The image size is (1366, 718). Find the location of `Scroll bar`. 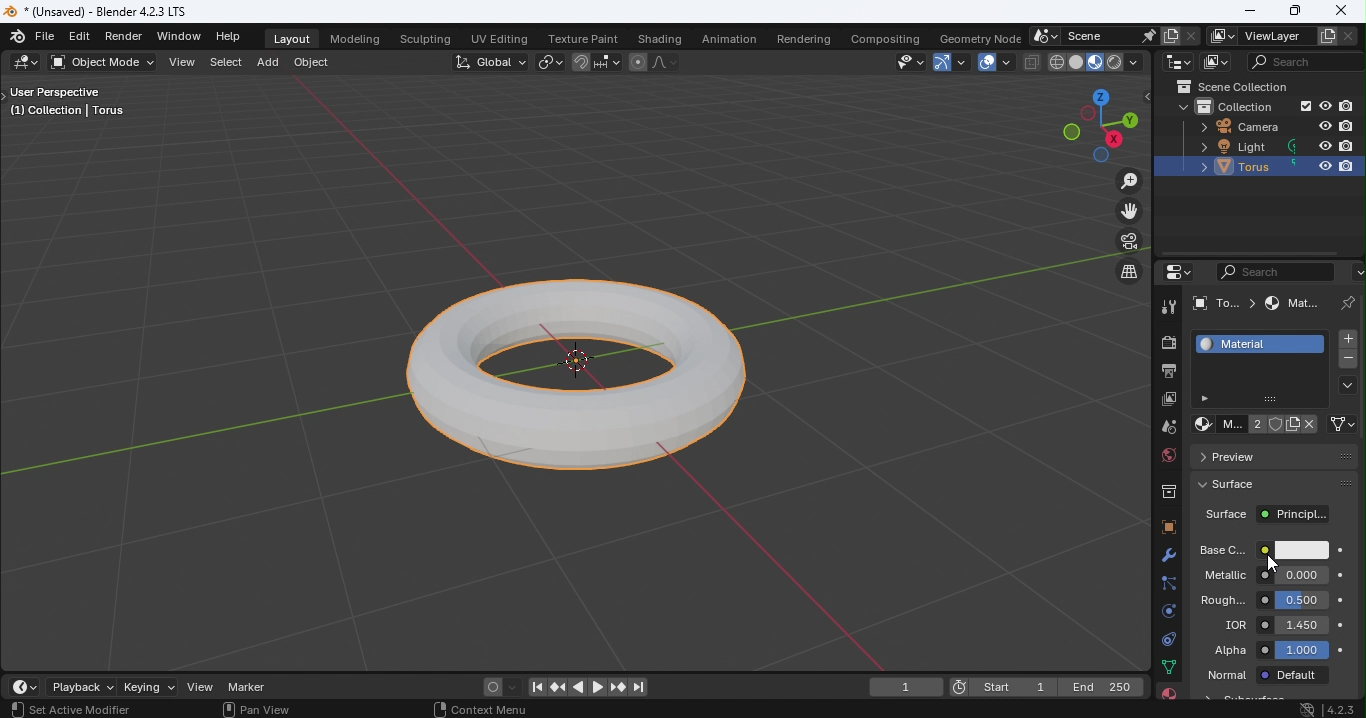

Scroll bar is located at coordinates (1253, 254).